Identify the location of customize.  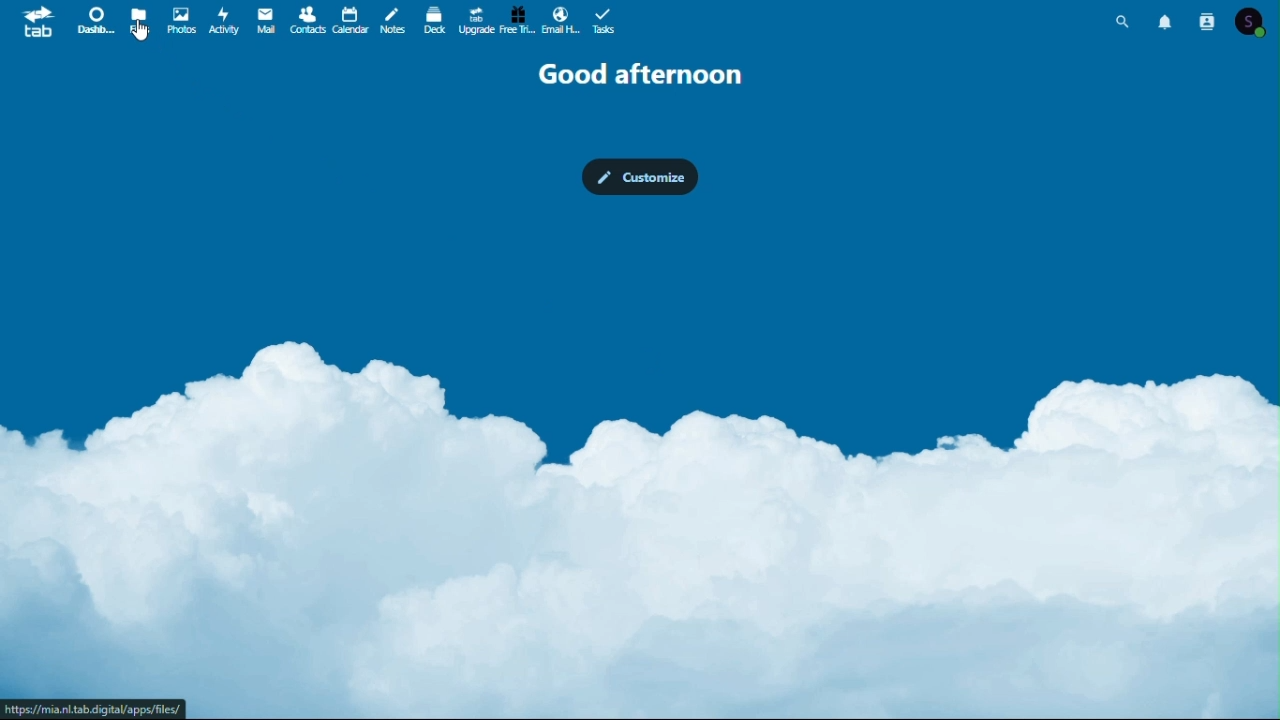
(644, 177).